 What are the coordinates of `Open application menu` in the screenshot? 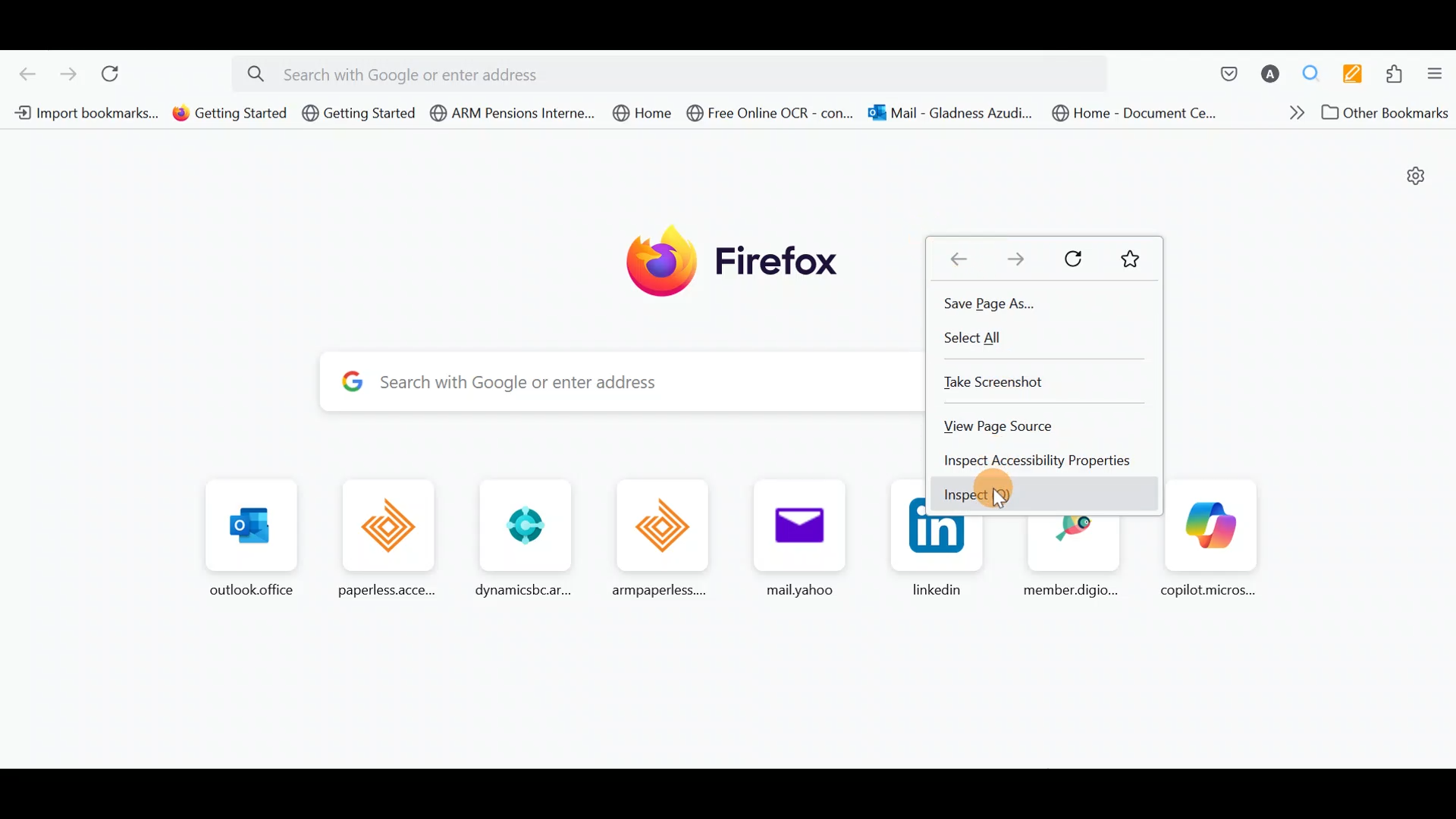 It's located at (1439, 77).